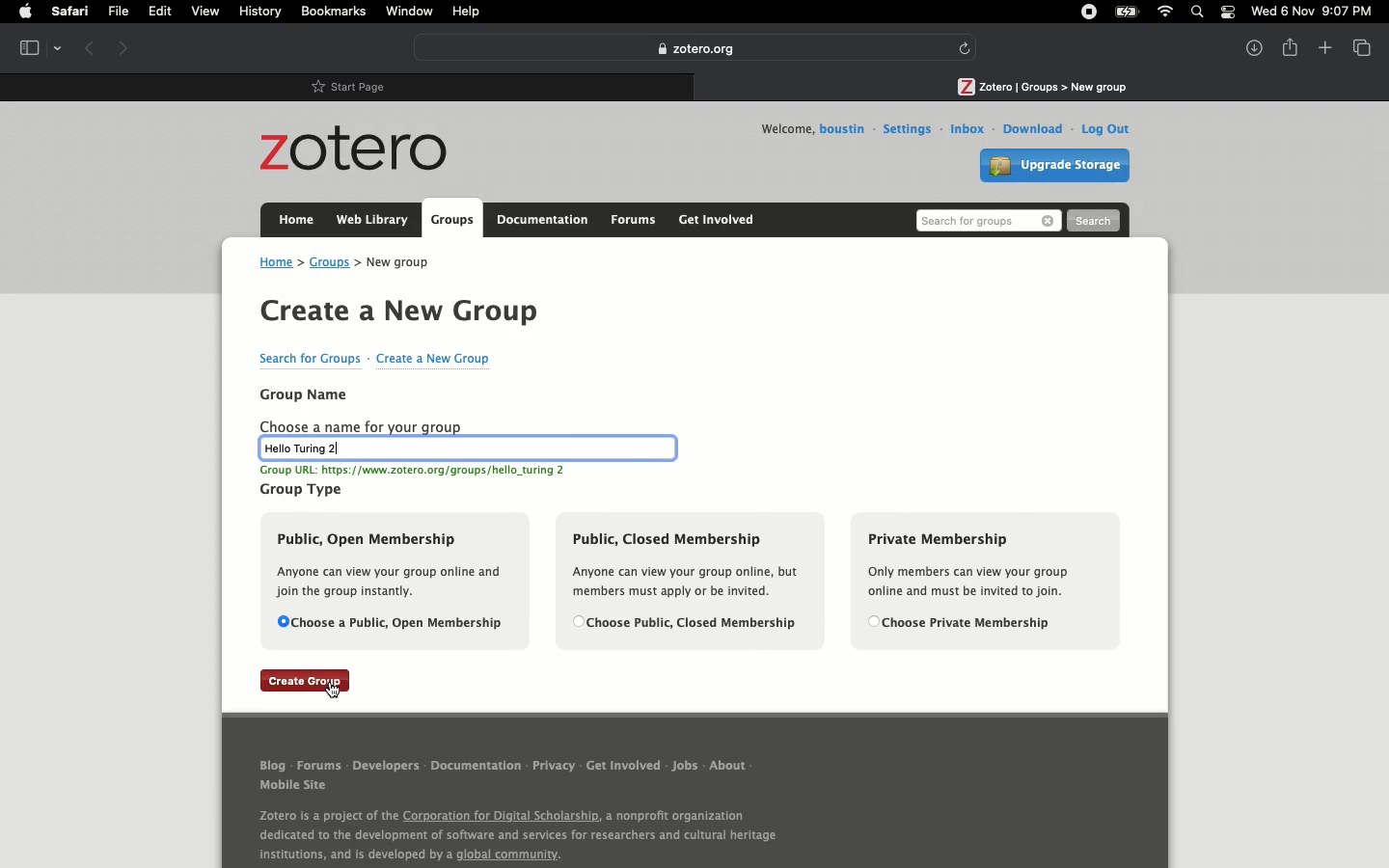  What do you see at coordinates (1225, 14) in the screenshot?
I see `Notification bar` at bounding box center [1225, 14].